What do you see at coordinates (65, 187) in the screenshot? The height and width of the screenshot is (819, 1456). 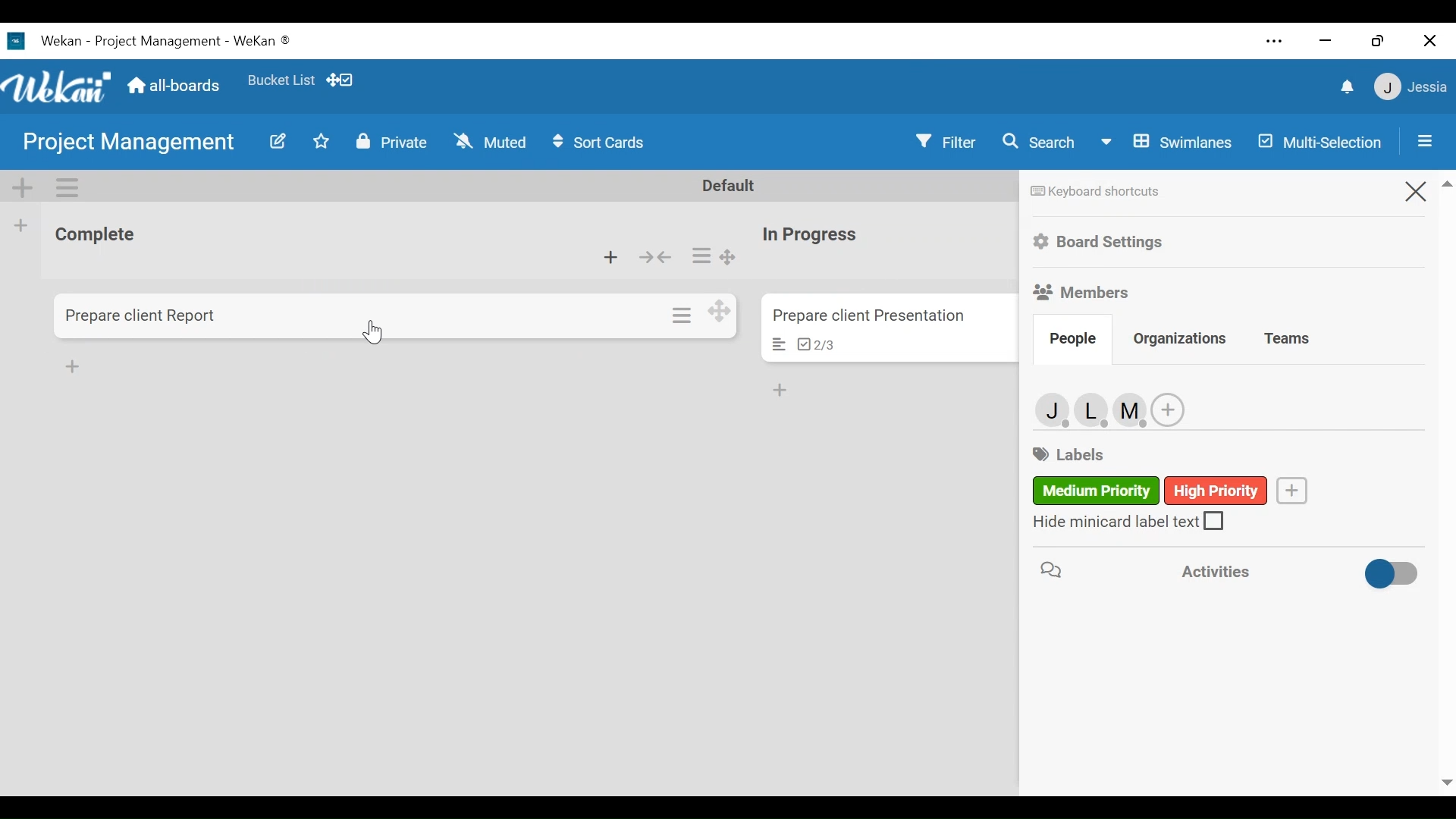 I see `Swimlane actions` at bounding box center [65, 187].